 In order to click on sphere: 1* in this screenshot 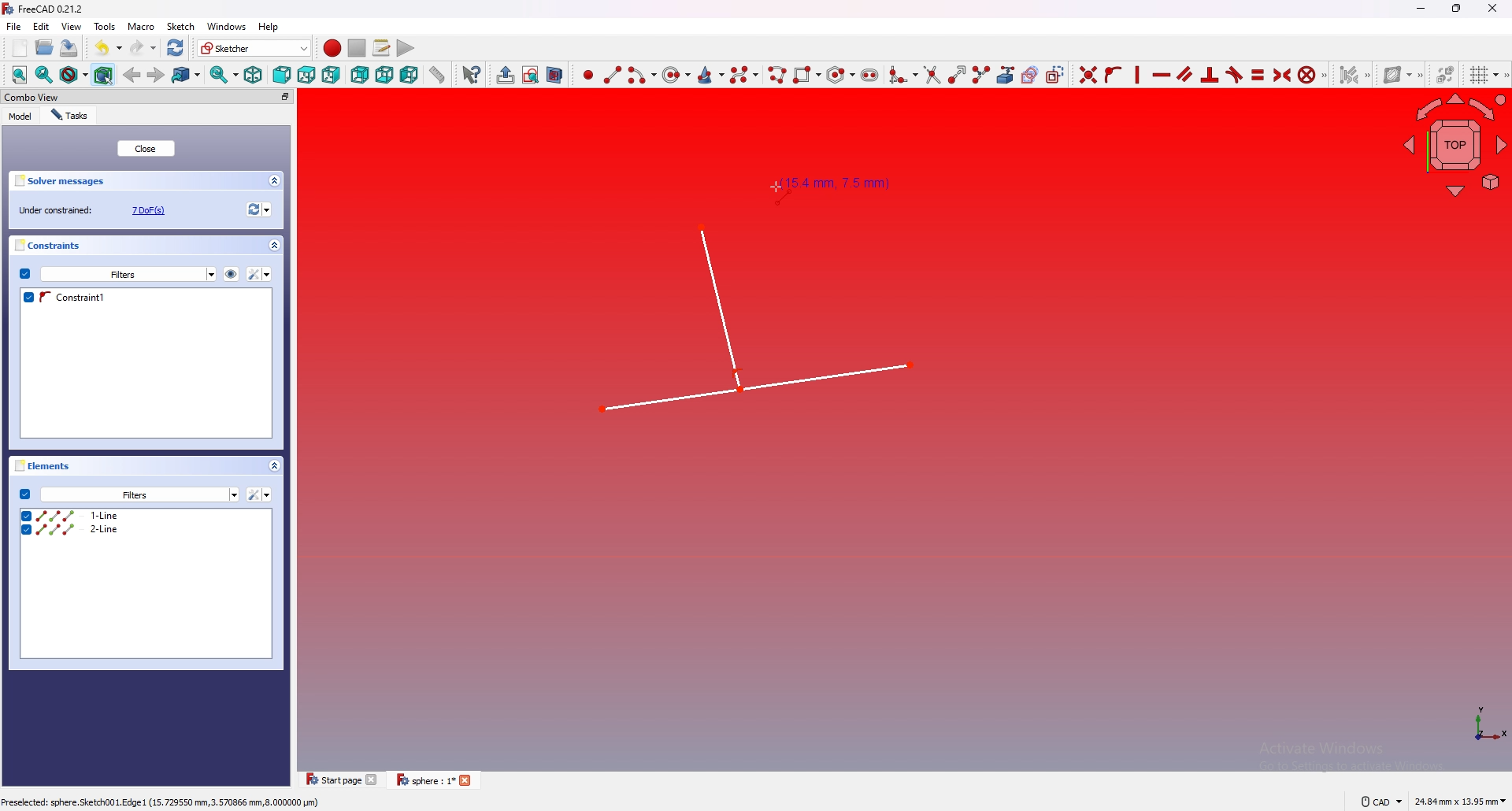, I will do `click(437, 780)`.